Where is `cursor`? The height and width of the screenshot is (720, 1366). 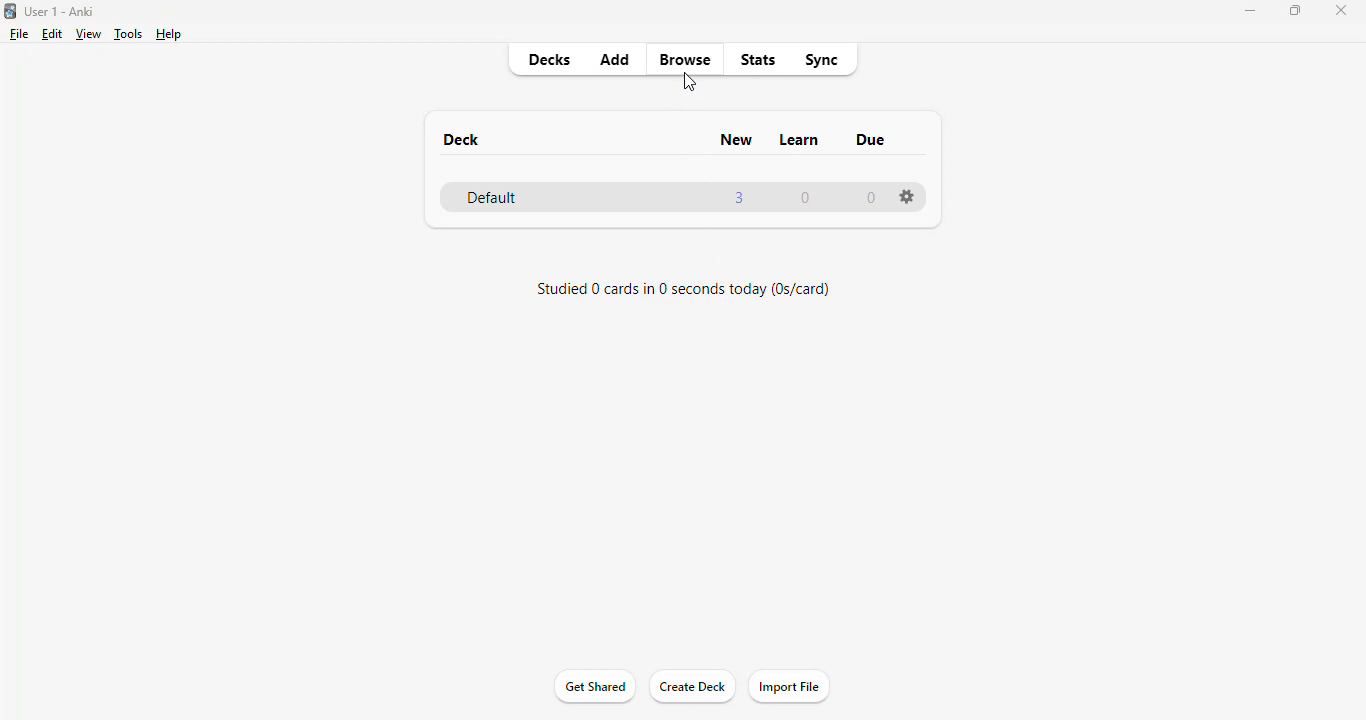
cursor is located at coordinates (688, 82).